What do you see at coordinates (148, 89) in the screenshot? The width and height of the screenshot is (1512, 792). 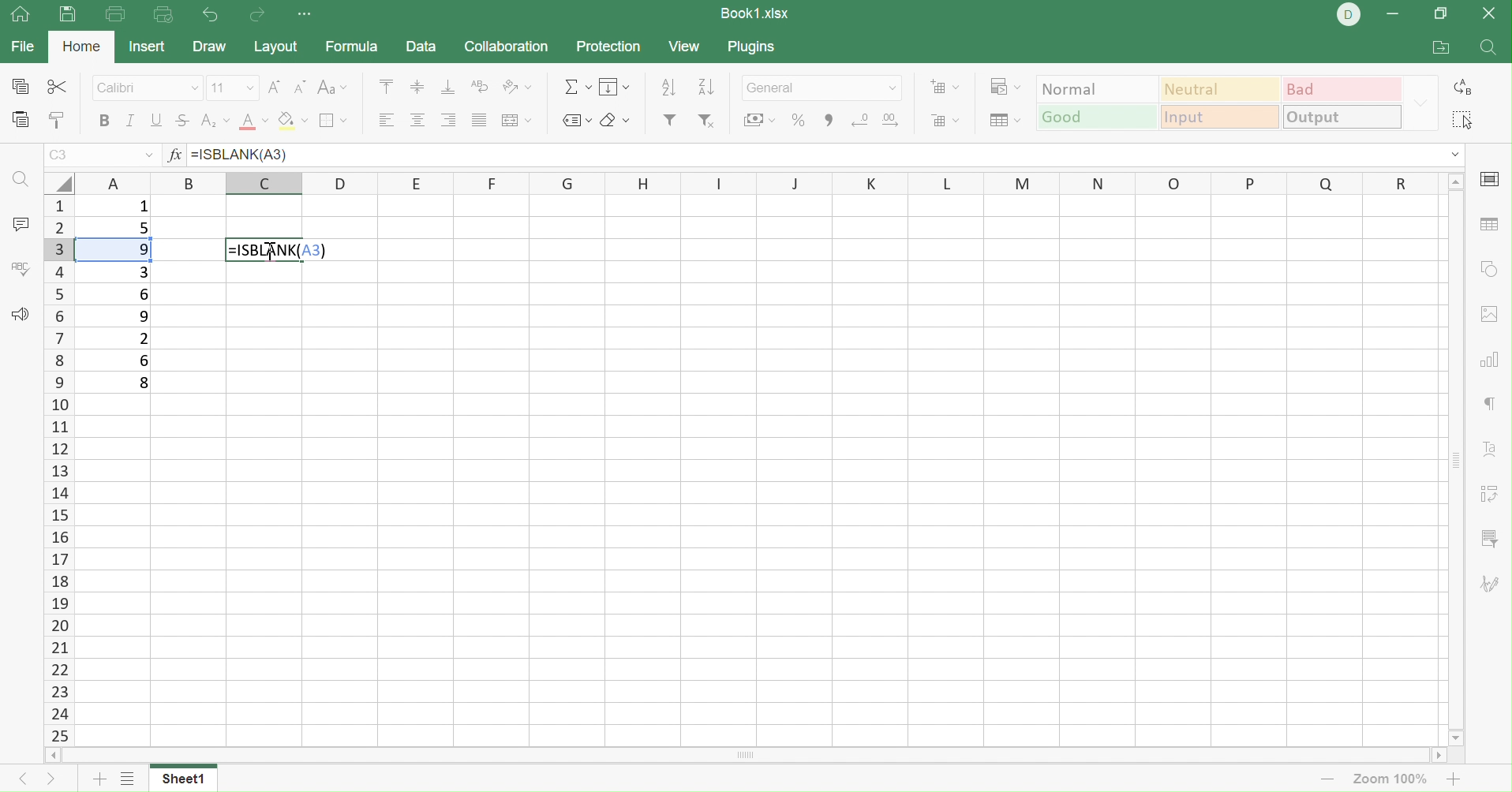 I see `Font` at bounding box center [148, 89].